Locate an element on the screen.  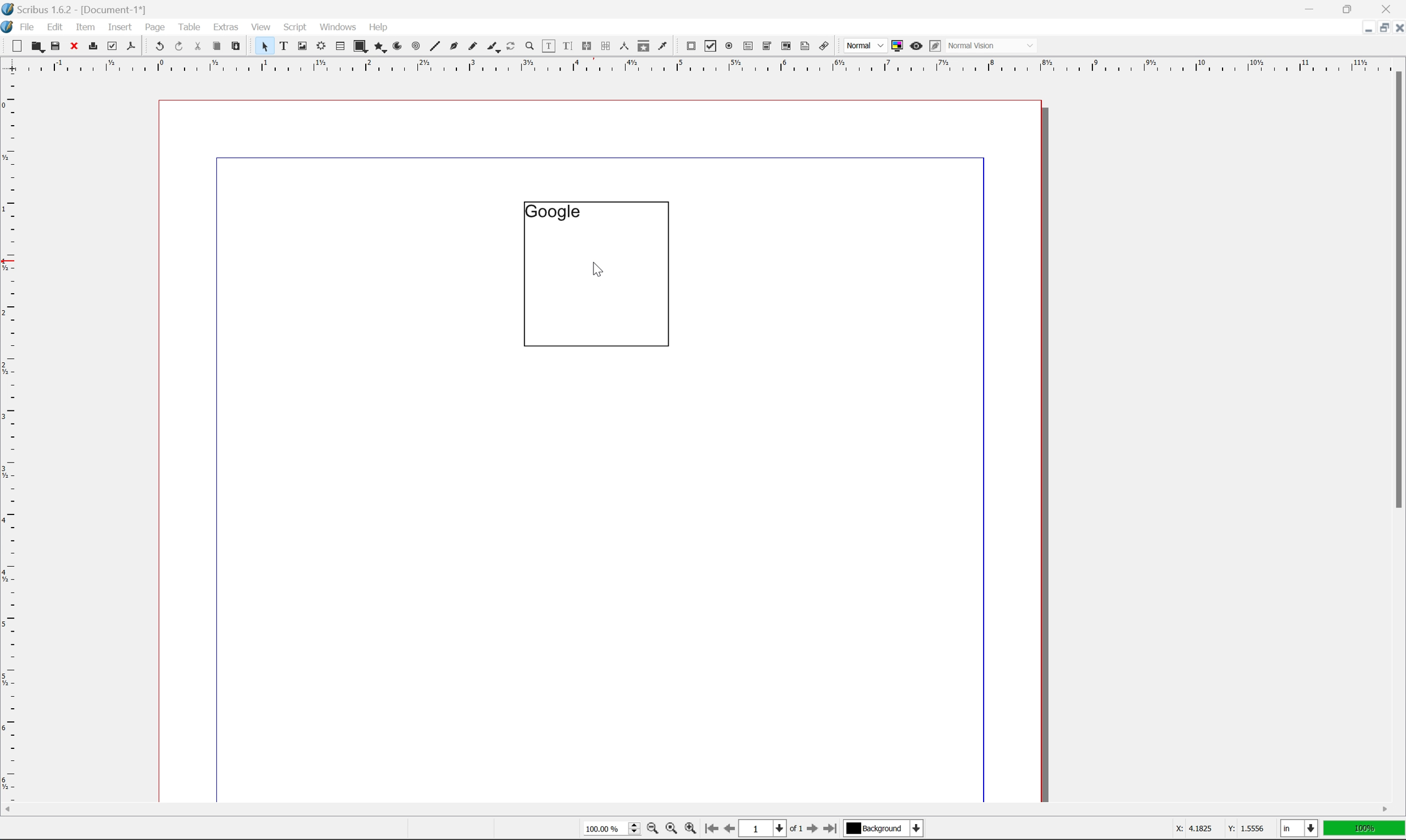
go to next page is located at coordinates (809, 830).